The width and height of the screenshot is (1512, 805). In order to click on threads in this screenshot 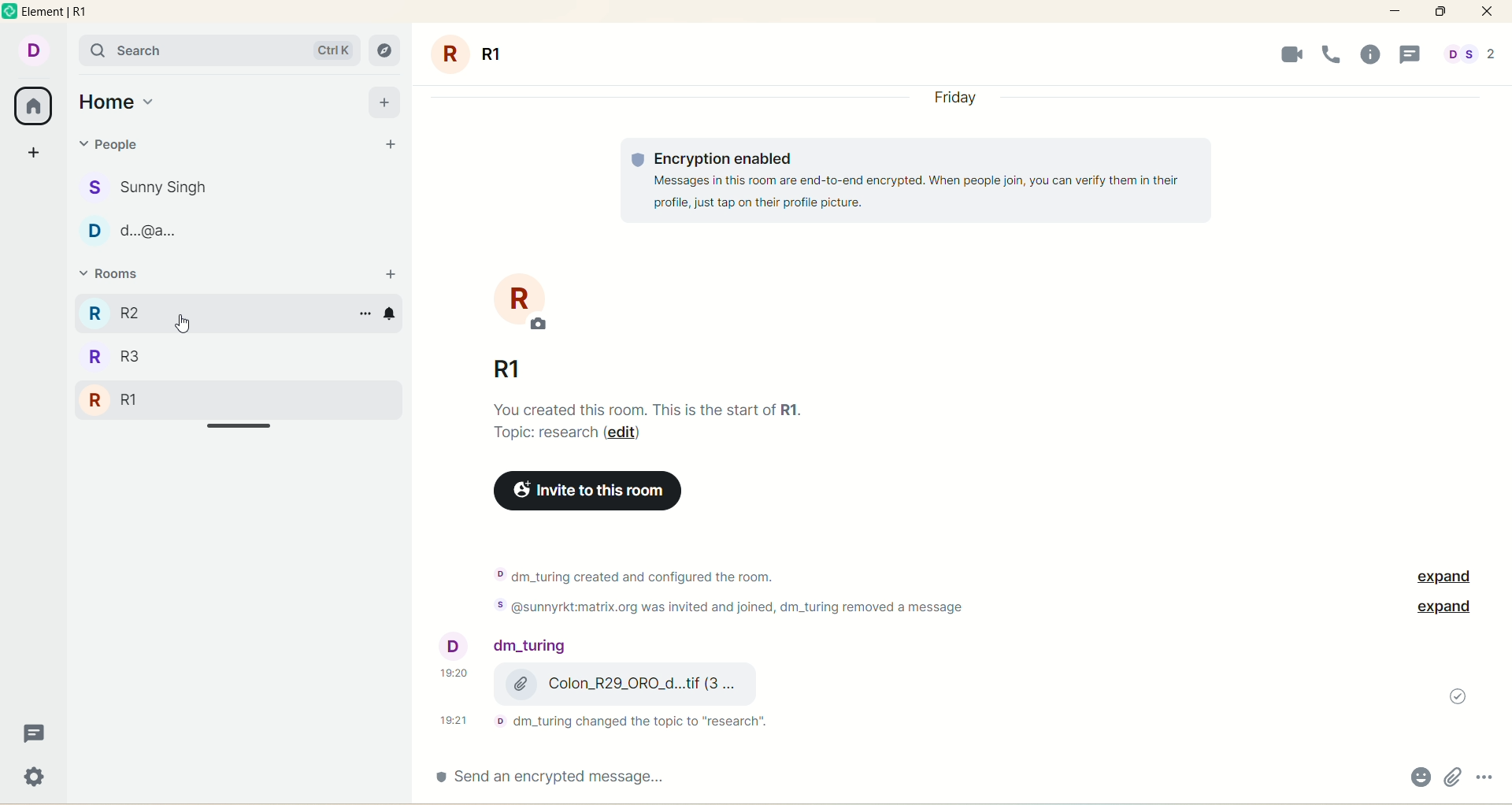, I will do `click(1410, 56)`.